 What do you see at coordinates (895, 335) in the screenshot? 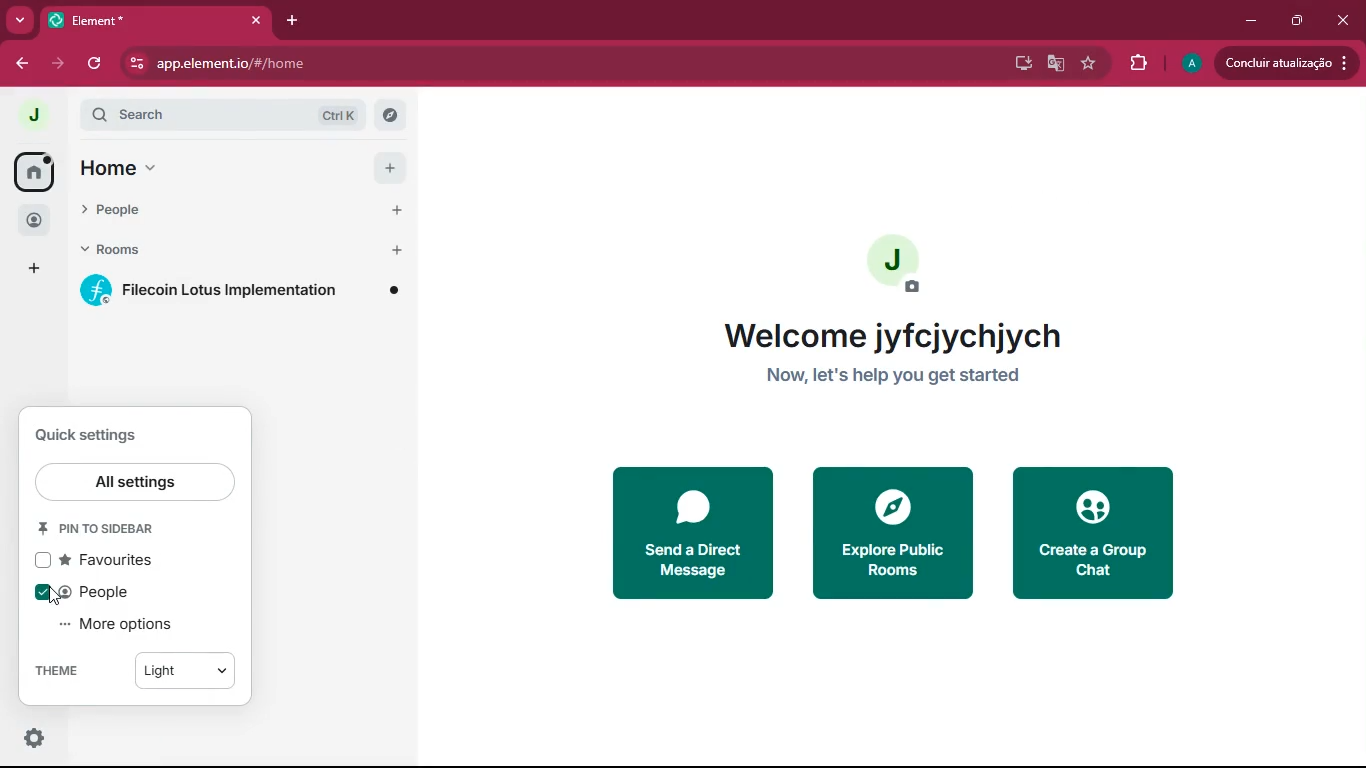
I see `Welcome jyfcjychjych` at bounding box center [895, 335].